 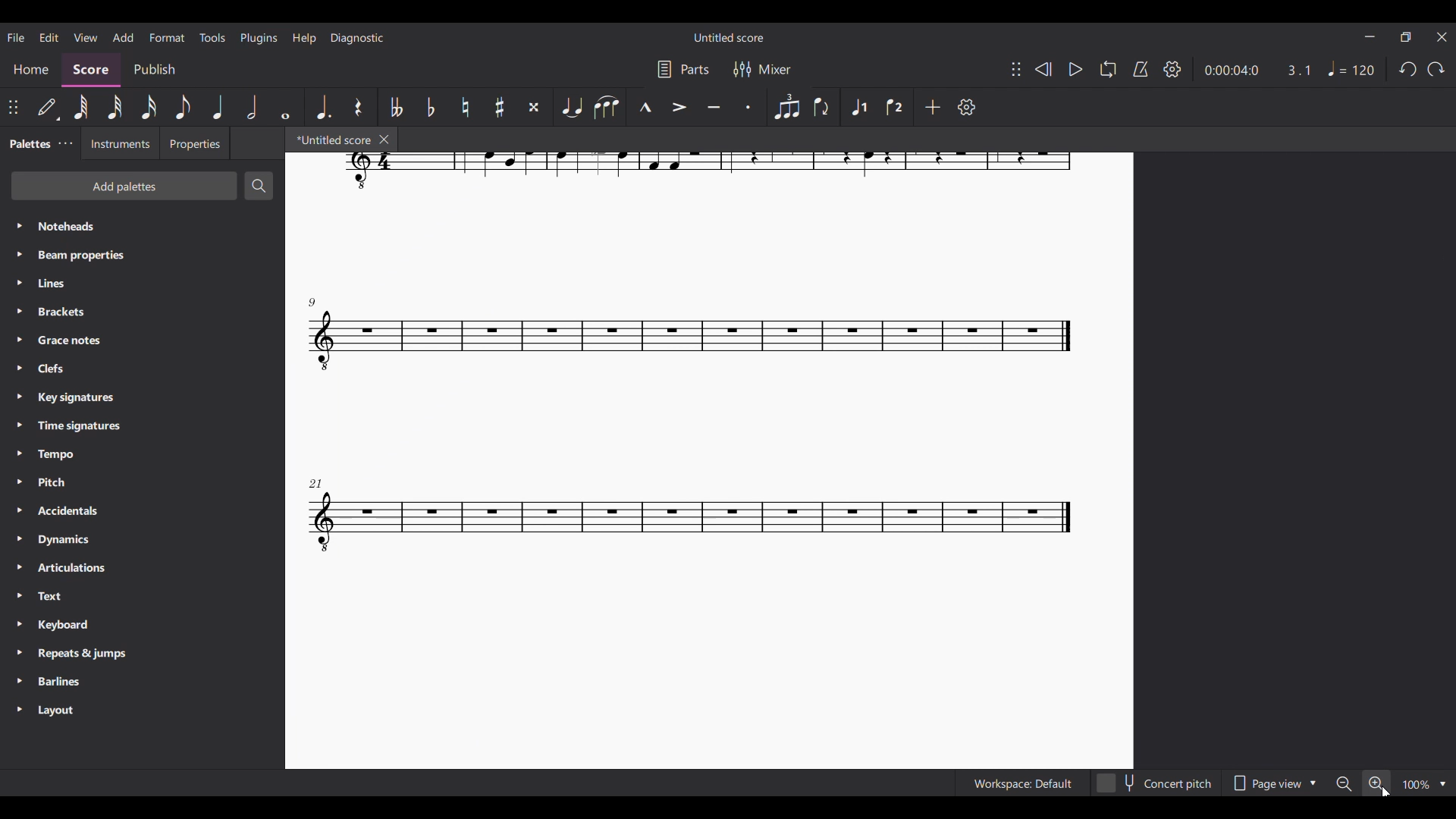 What do you see at coordinates (142, 482) in the screenshot?
I see `Pitch` at bounding box center [142, 482].